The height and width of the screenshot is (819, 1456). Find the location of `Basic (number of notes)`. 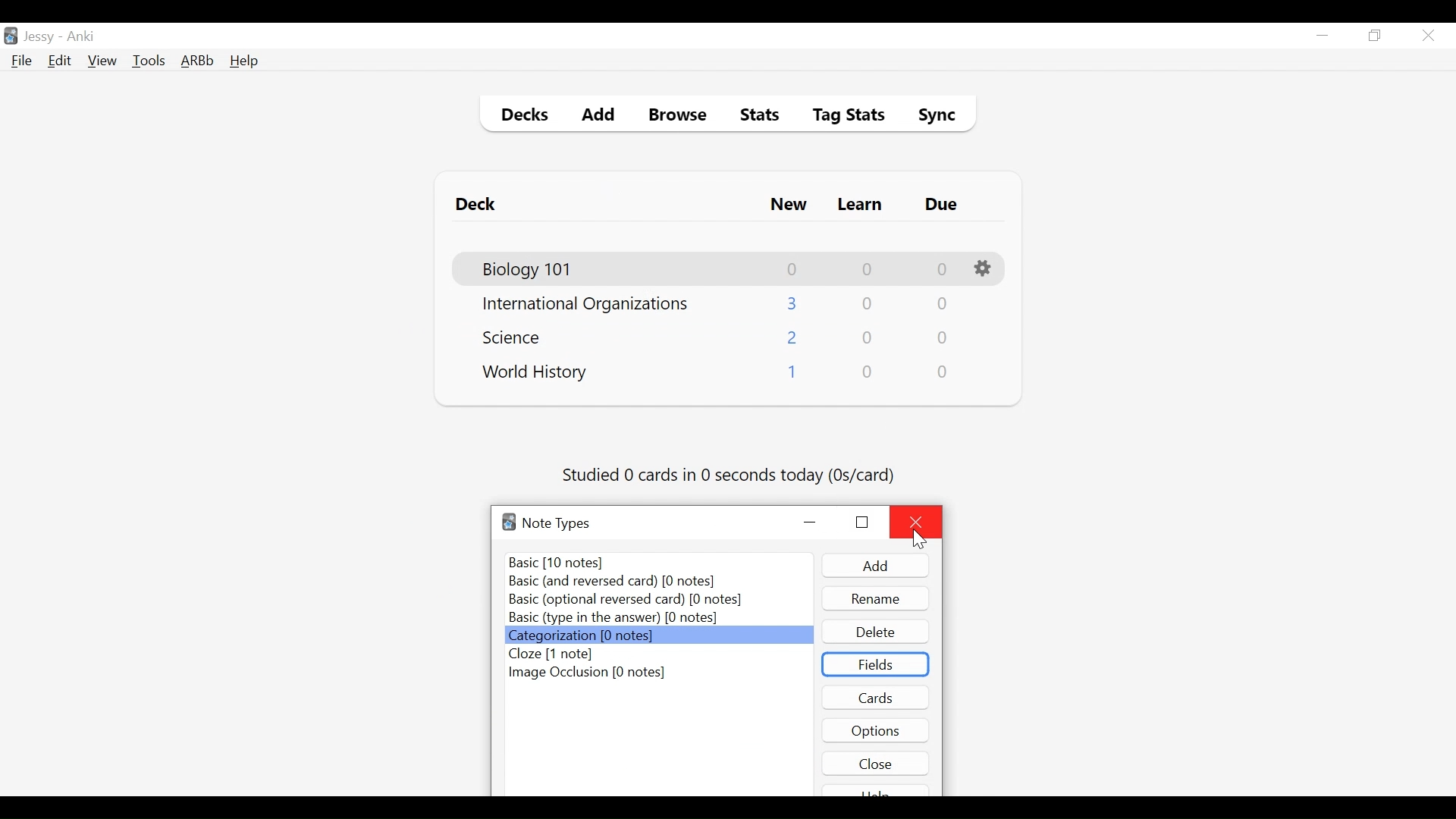

Basic (number of notes) is located at coordinates (661, 562).